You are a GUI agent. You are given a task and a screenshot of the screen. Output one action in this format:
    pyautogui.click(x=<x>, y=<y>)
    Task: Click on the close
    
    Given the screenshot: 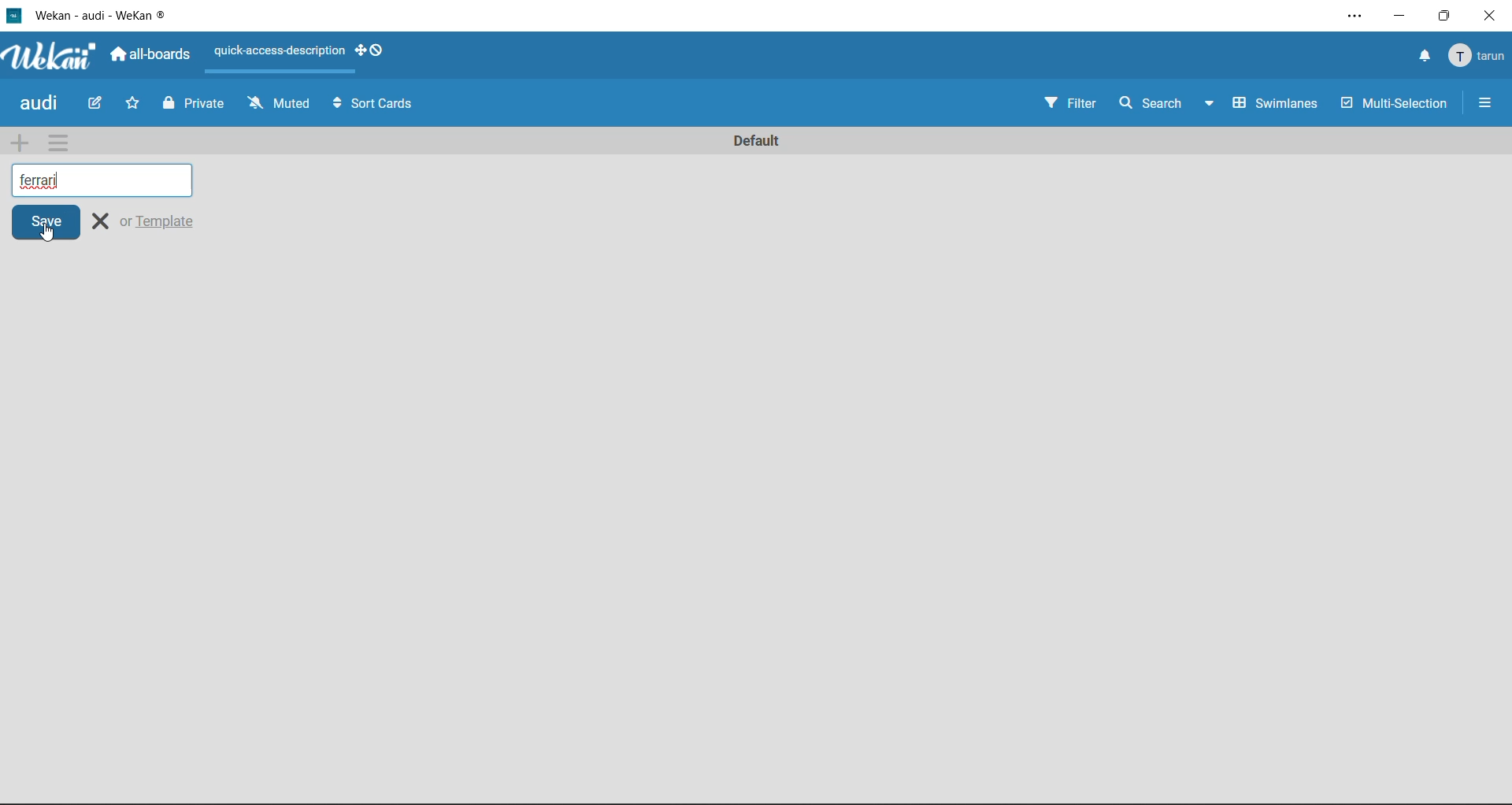 What is the action you would take?
    pyautogui.click(x=102, y=222)
    